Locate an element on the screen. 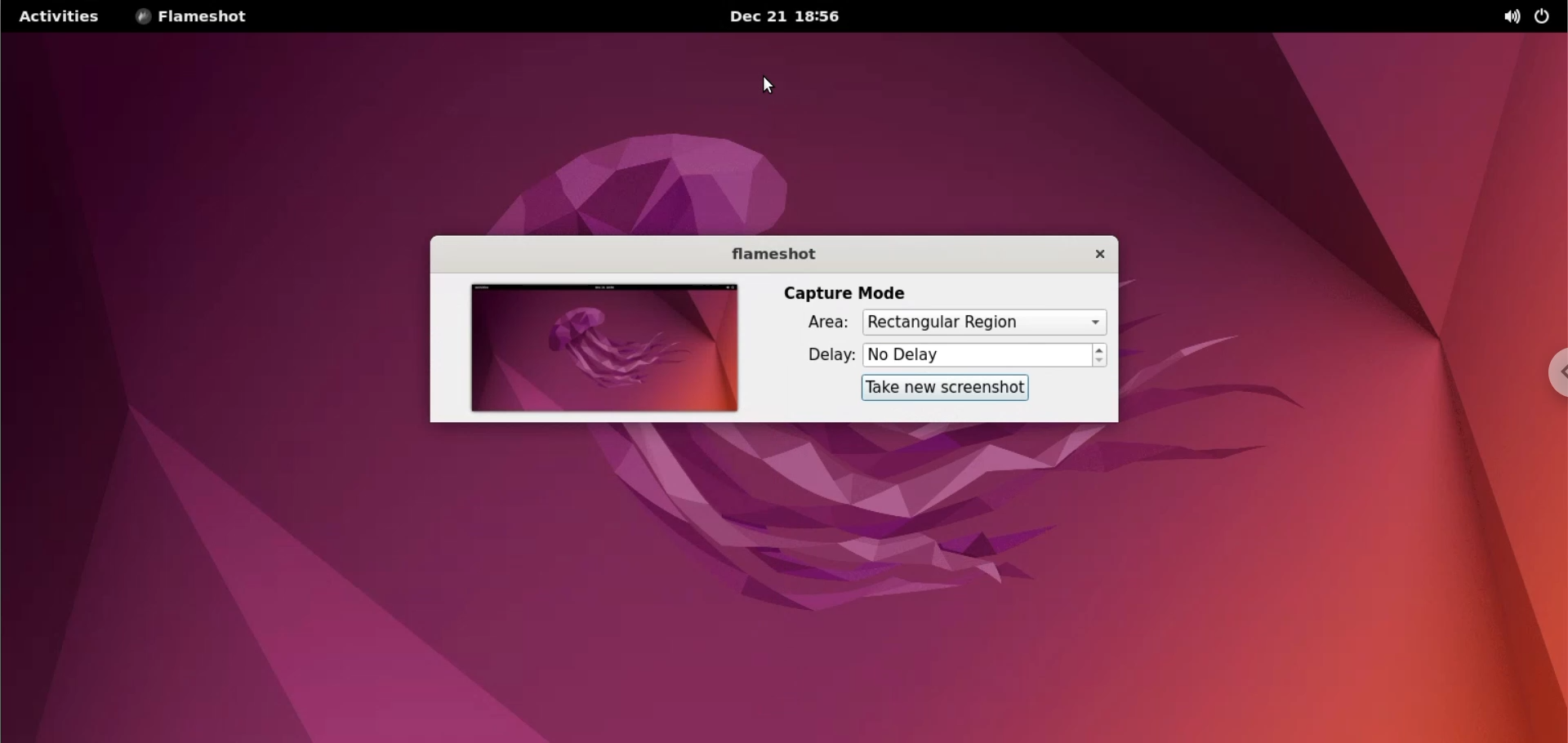 This screenshot has width=1568, height=743. FLAMESHOT is located at coordinates (204, 17).